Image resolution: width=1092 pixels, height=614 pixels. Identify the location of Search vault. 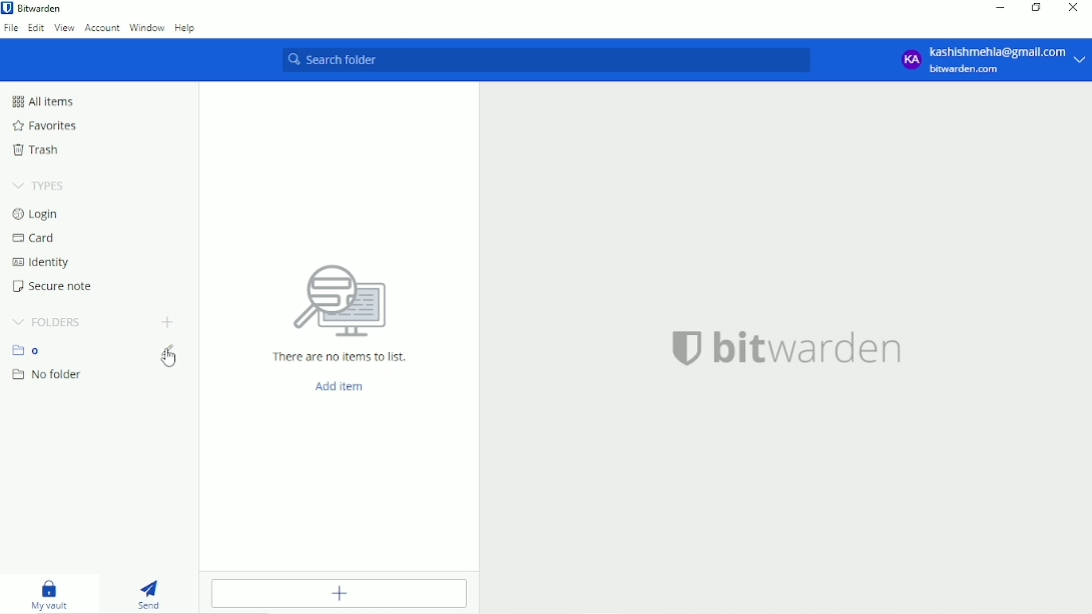
(554, 62).